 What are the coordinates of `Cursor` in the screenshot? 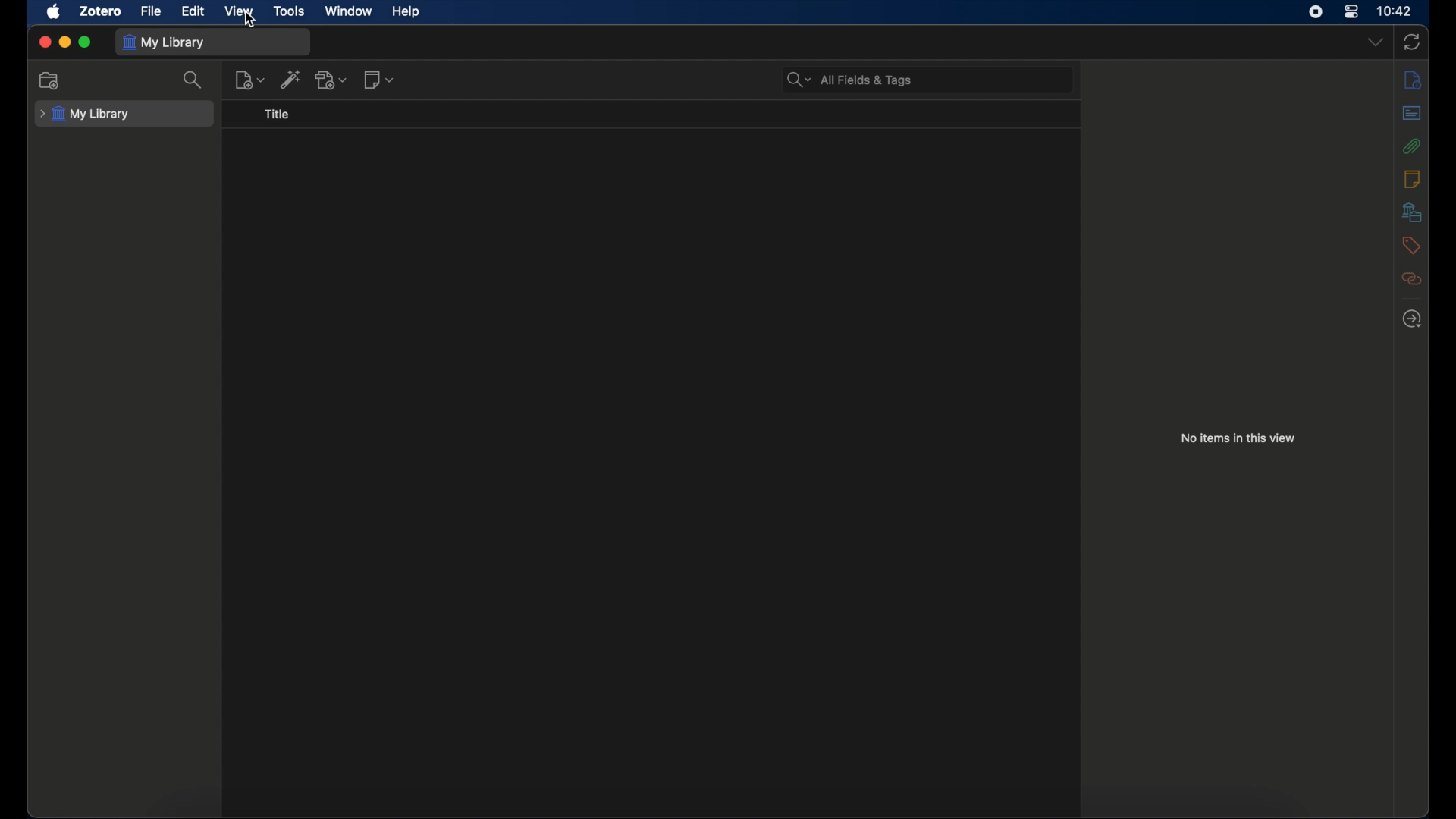 It's located at (249, 24).